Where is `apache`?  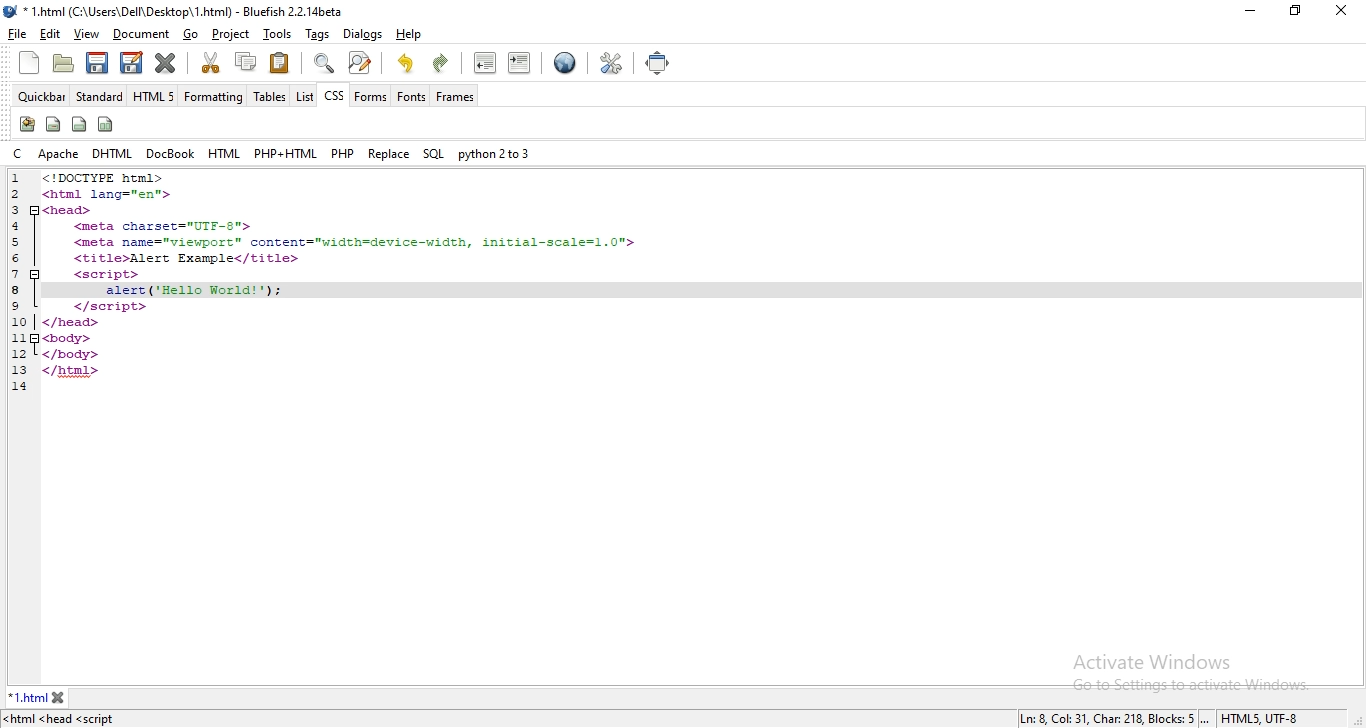
apache is located at coordinates (57, 152).